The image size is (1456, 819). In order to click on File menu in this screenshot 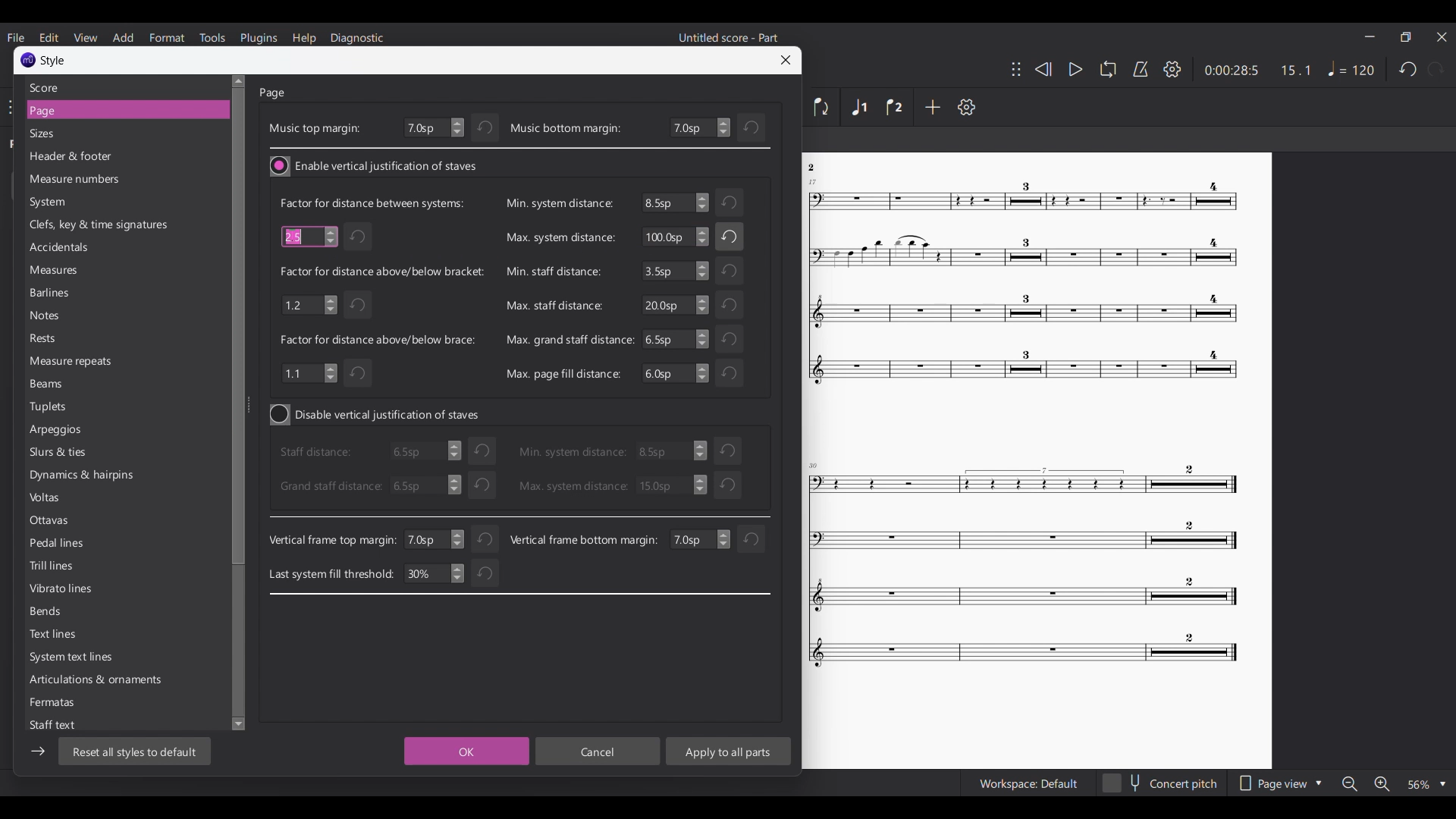, I will do `click(15, 37)`.